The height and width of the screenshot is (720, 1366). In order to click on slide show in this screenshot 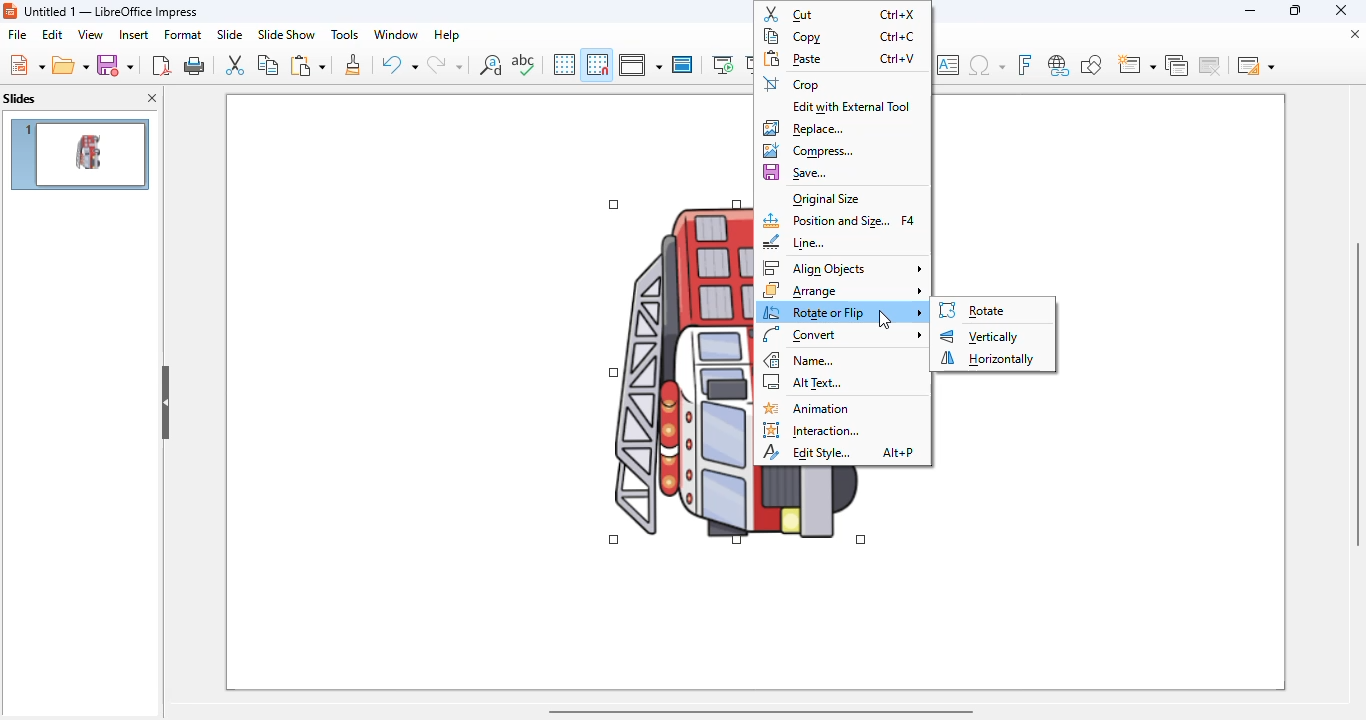, I will do `click(286, 34)`.